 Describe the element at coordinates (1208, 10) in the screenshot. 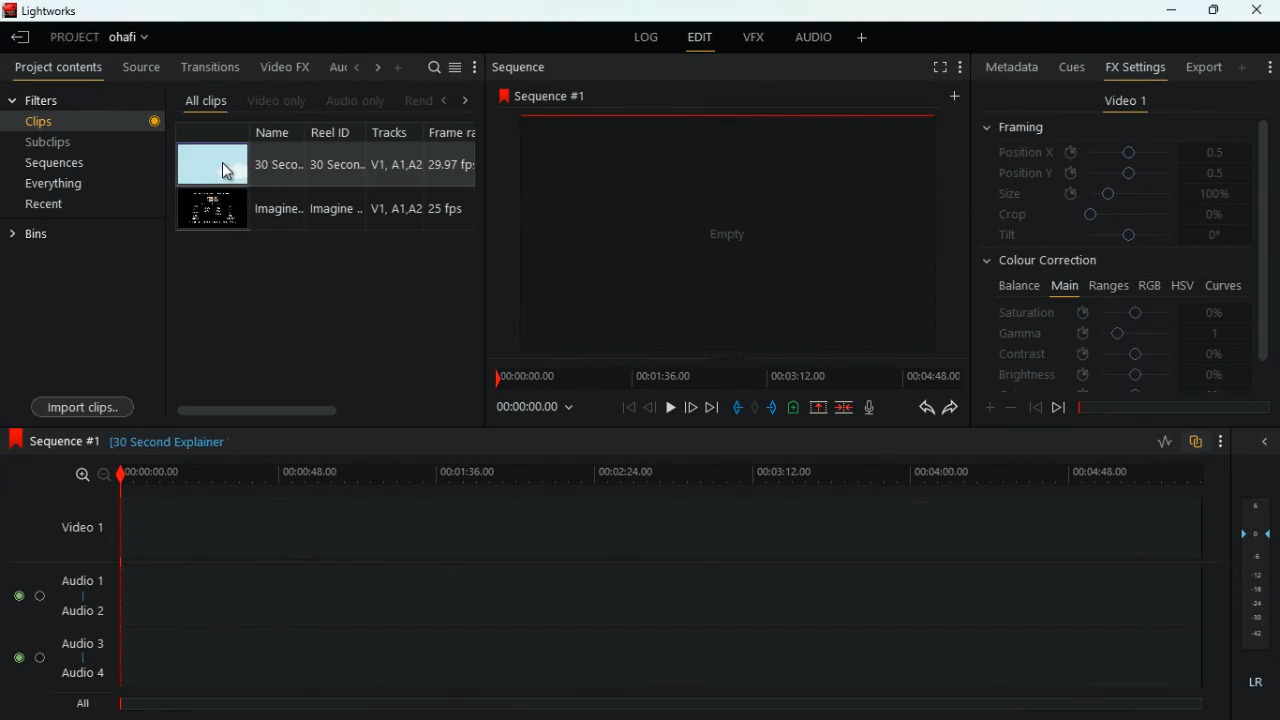

I see `maximize` at that location.